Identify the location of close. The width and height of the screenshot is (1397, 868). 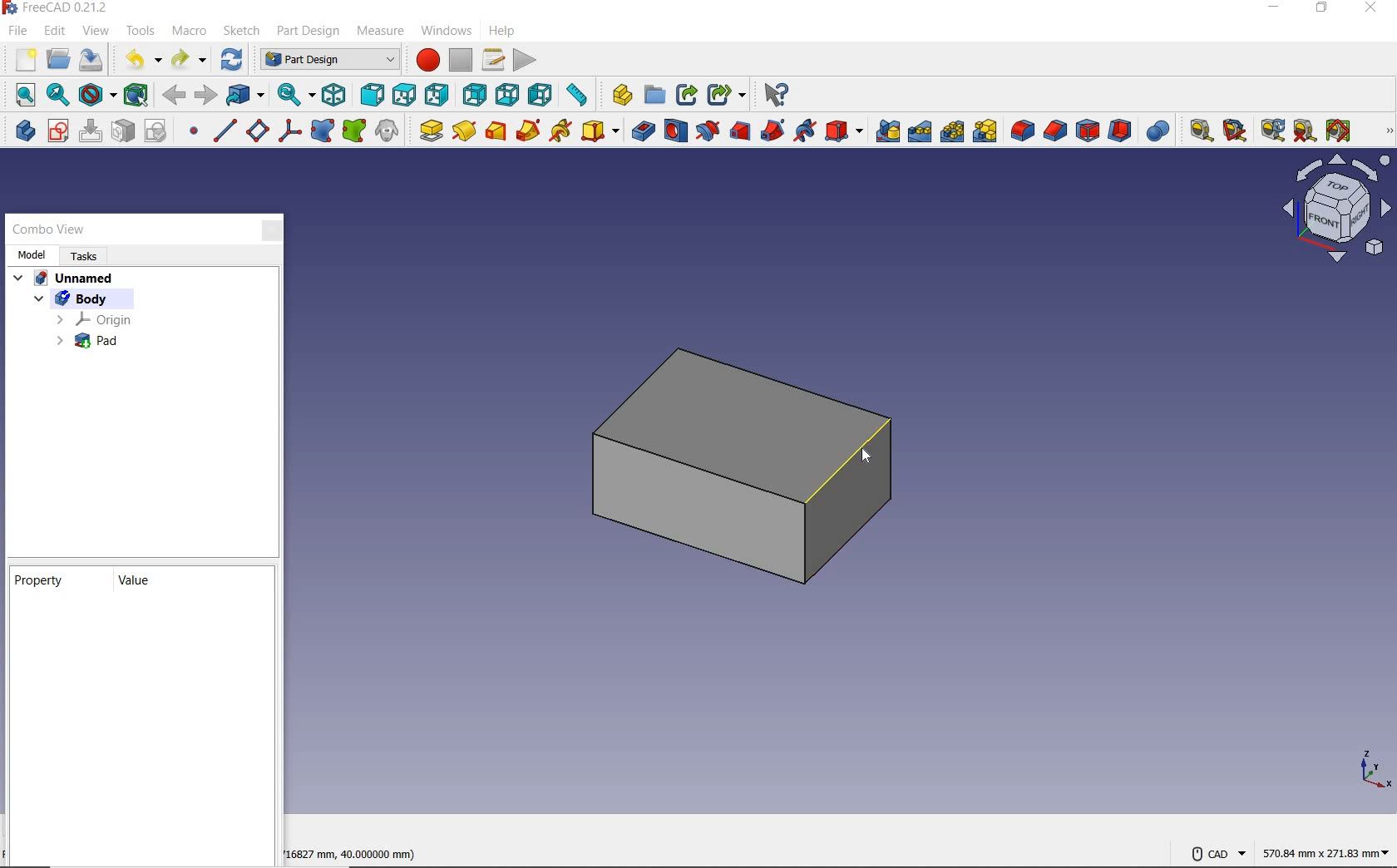
(267, 230).